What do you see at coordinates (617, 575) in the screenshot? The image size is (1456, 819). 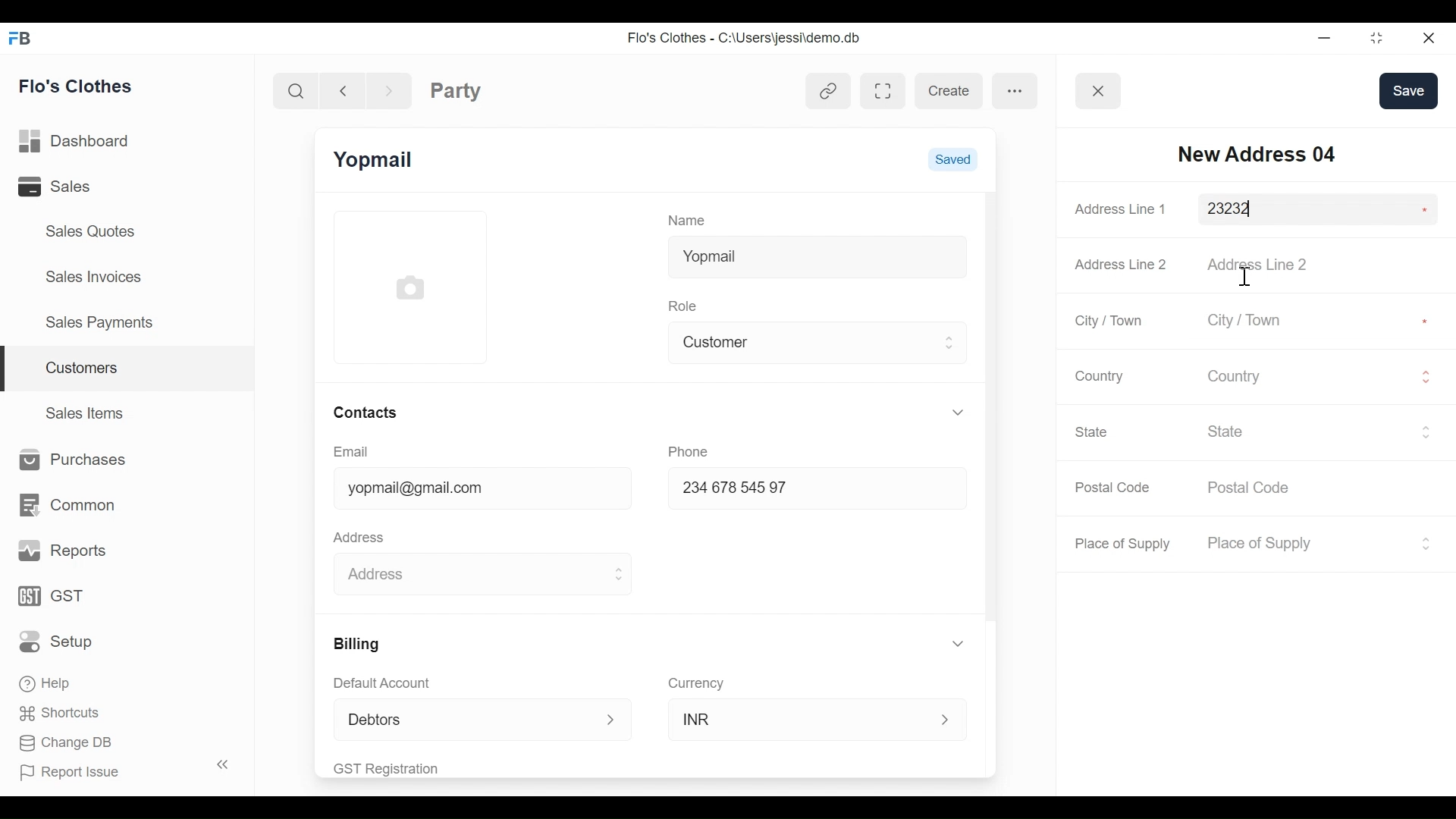 I see `Expand` at bounding box center [617, 575].